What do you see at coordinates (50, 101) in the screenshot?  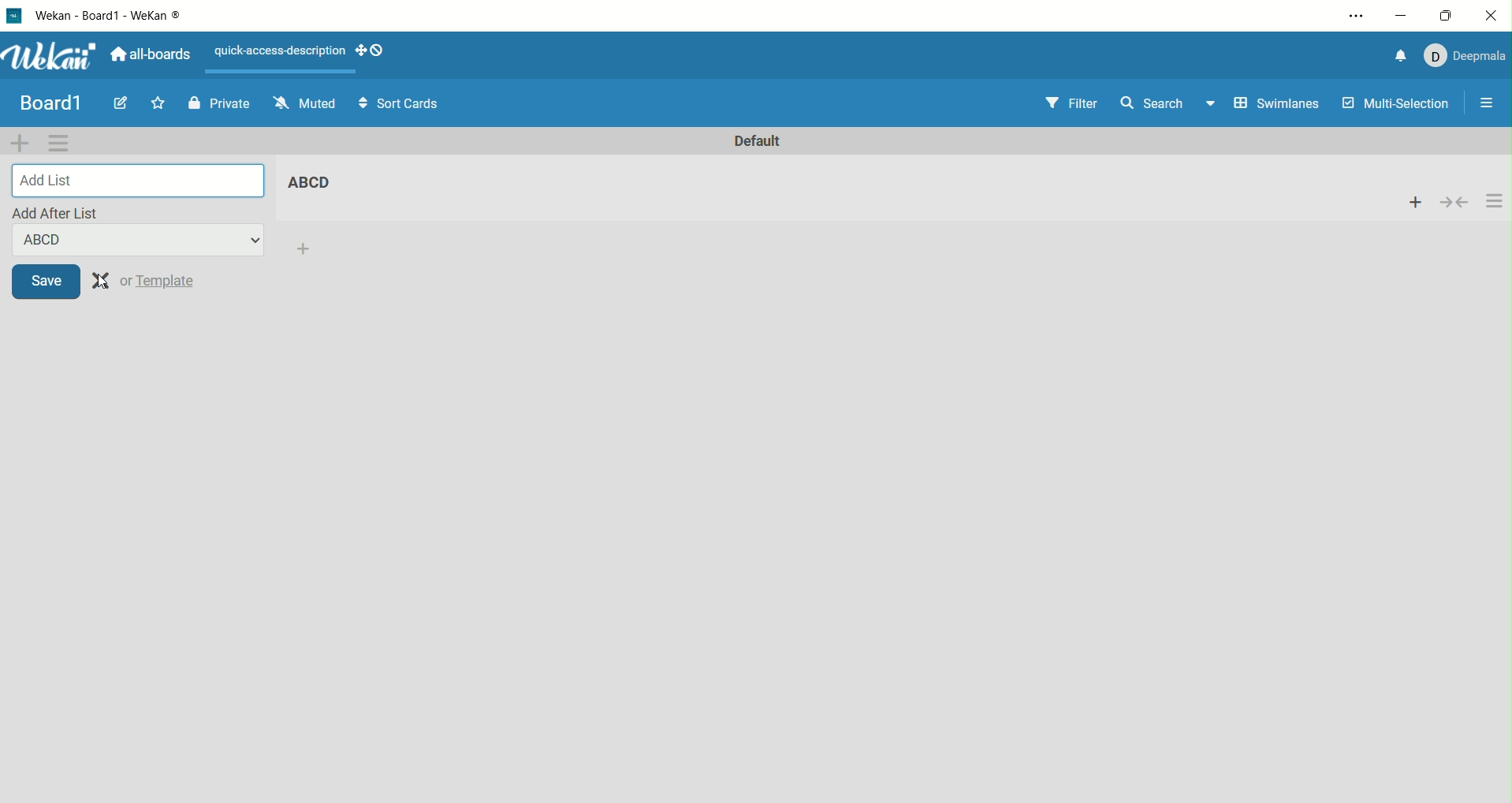 I see `title` at bounding box center [50, 101].